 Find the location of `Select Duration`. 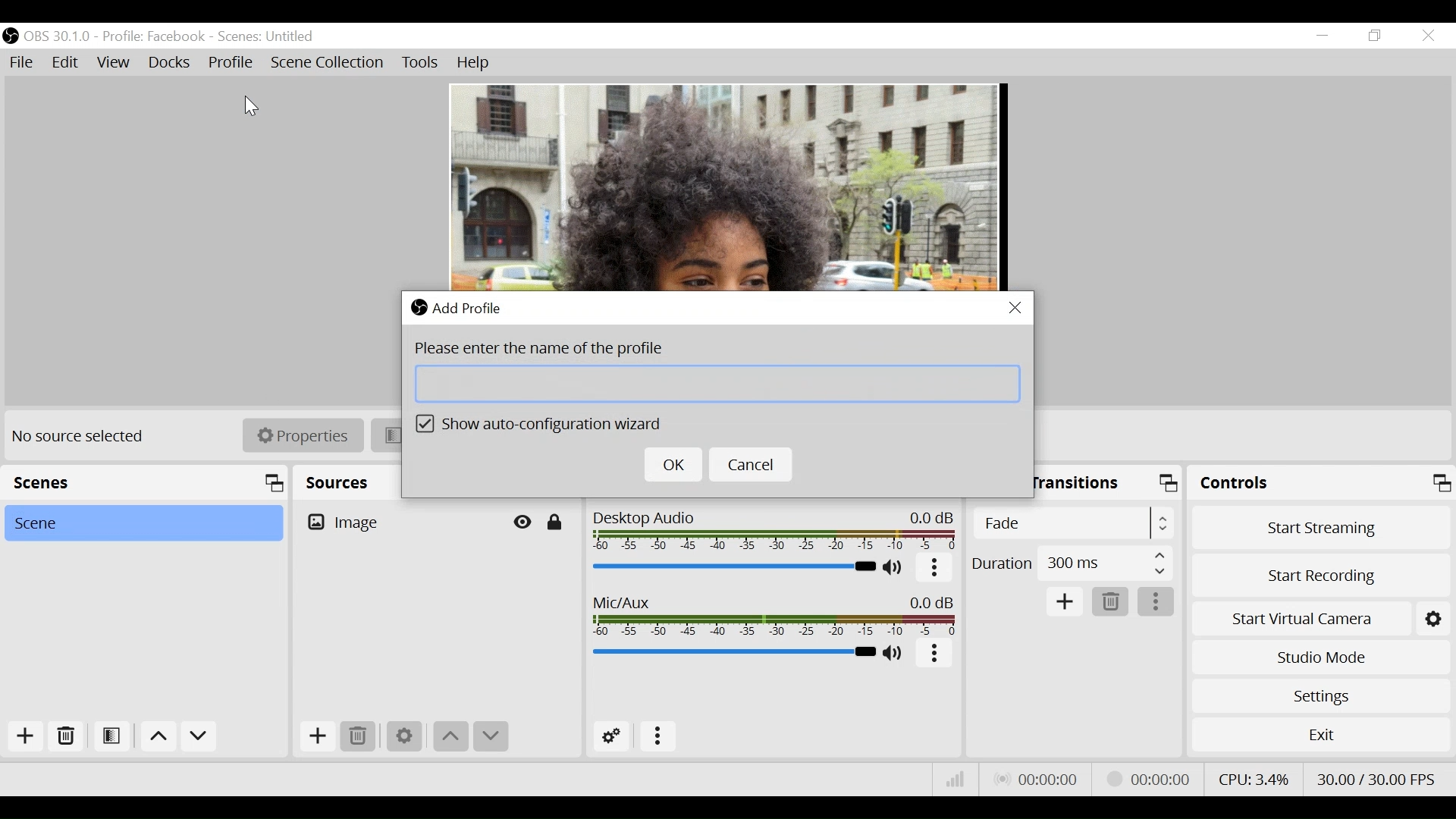

Select Duration is located at coordinates (1072, 562).